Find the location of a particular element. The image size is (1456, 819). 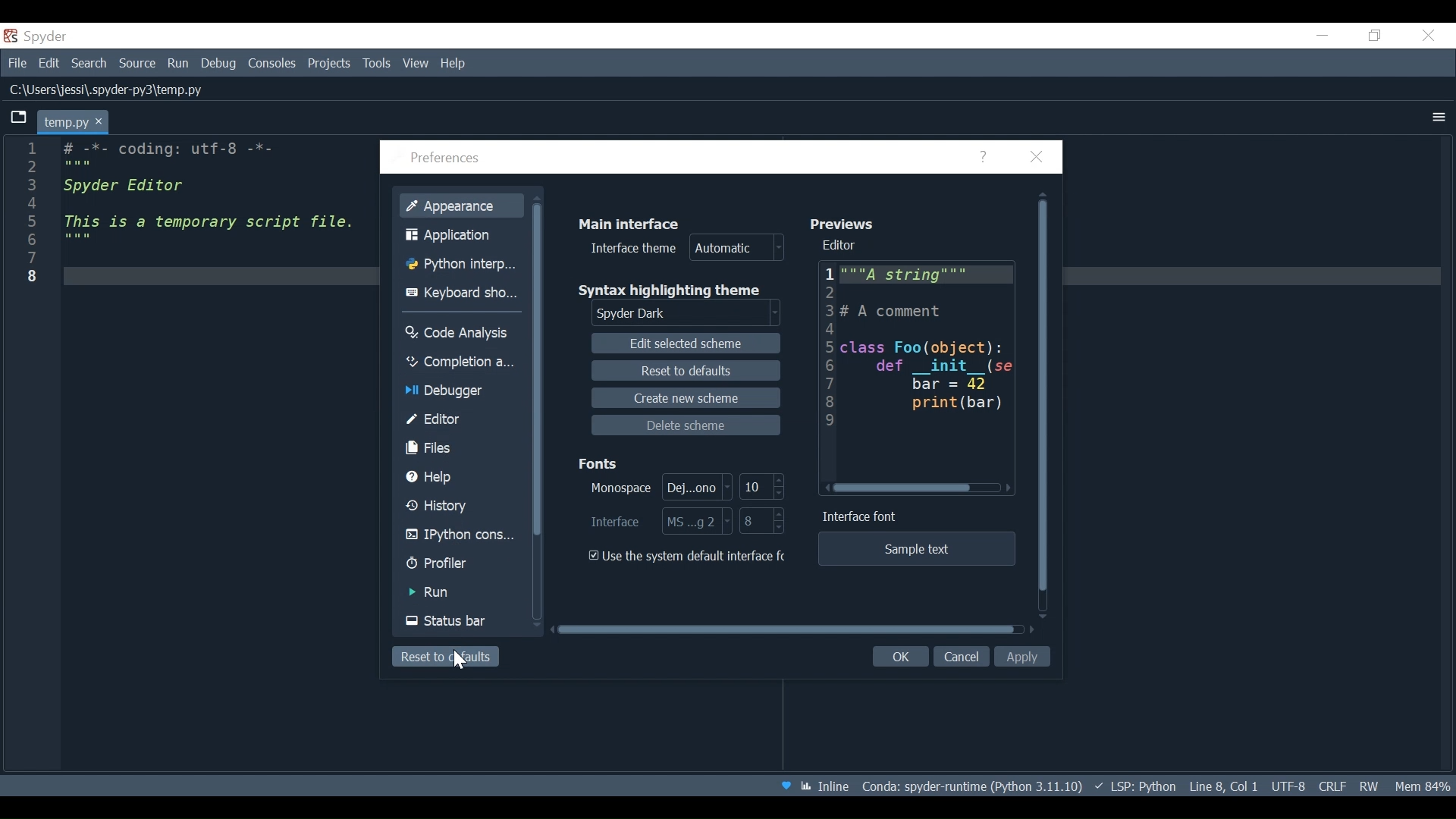

Delete scheme is located at coordinates (686, 425).